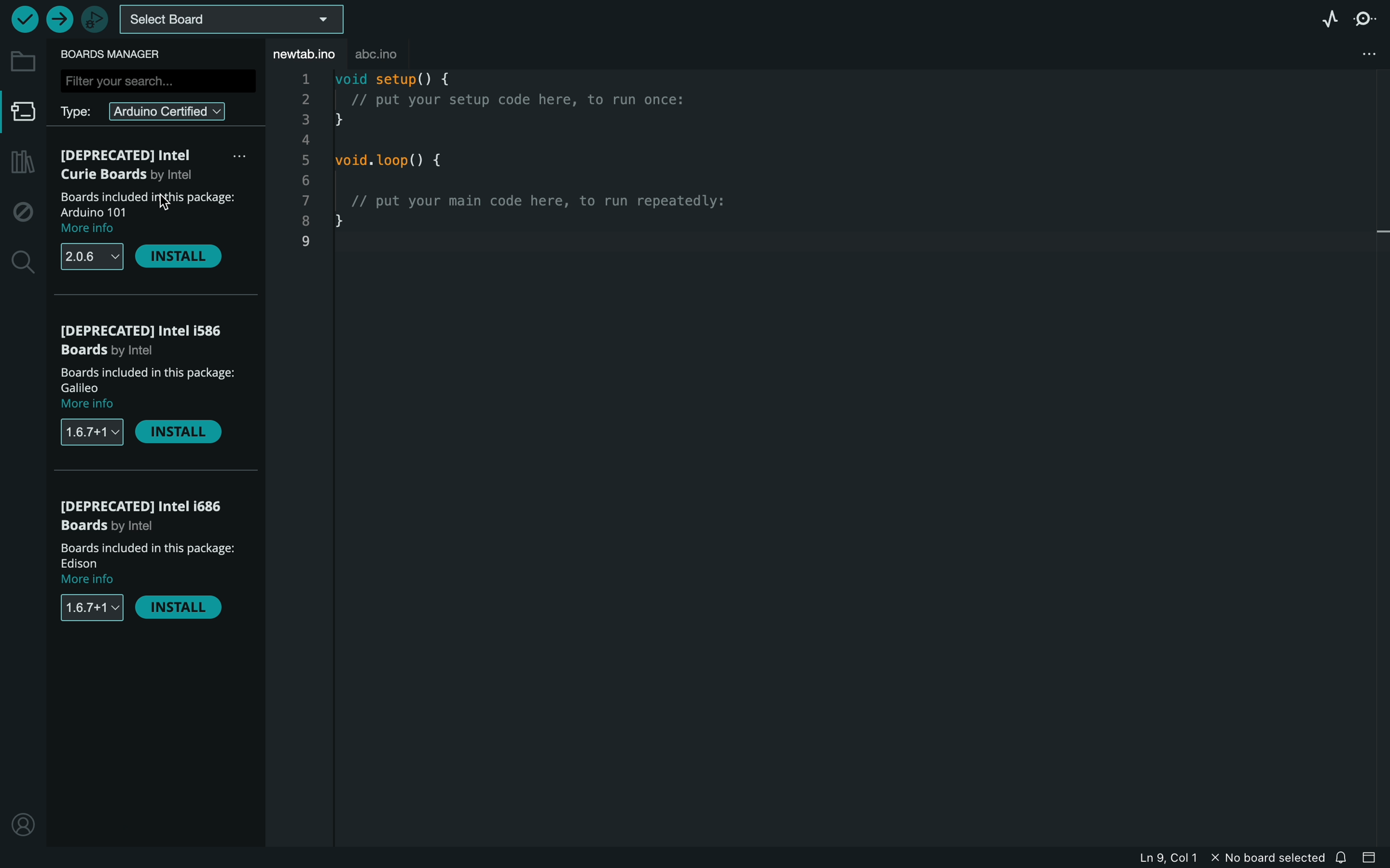  Describe the element at coordinates (24, 19) in the screenshot. I see `verify` at that location.